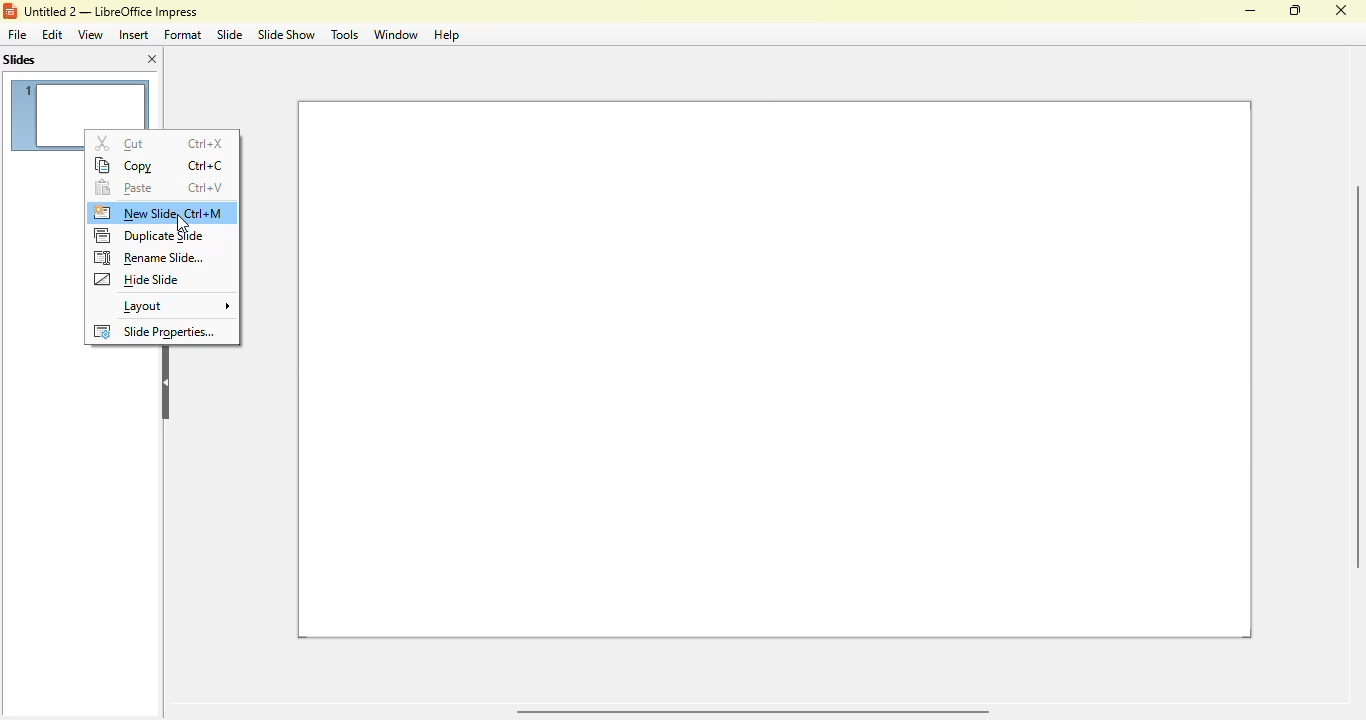 This screenshot has height=720, width=1366. I want to click on horizontal scroll bar, so click(750, 712).